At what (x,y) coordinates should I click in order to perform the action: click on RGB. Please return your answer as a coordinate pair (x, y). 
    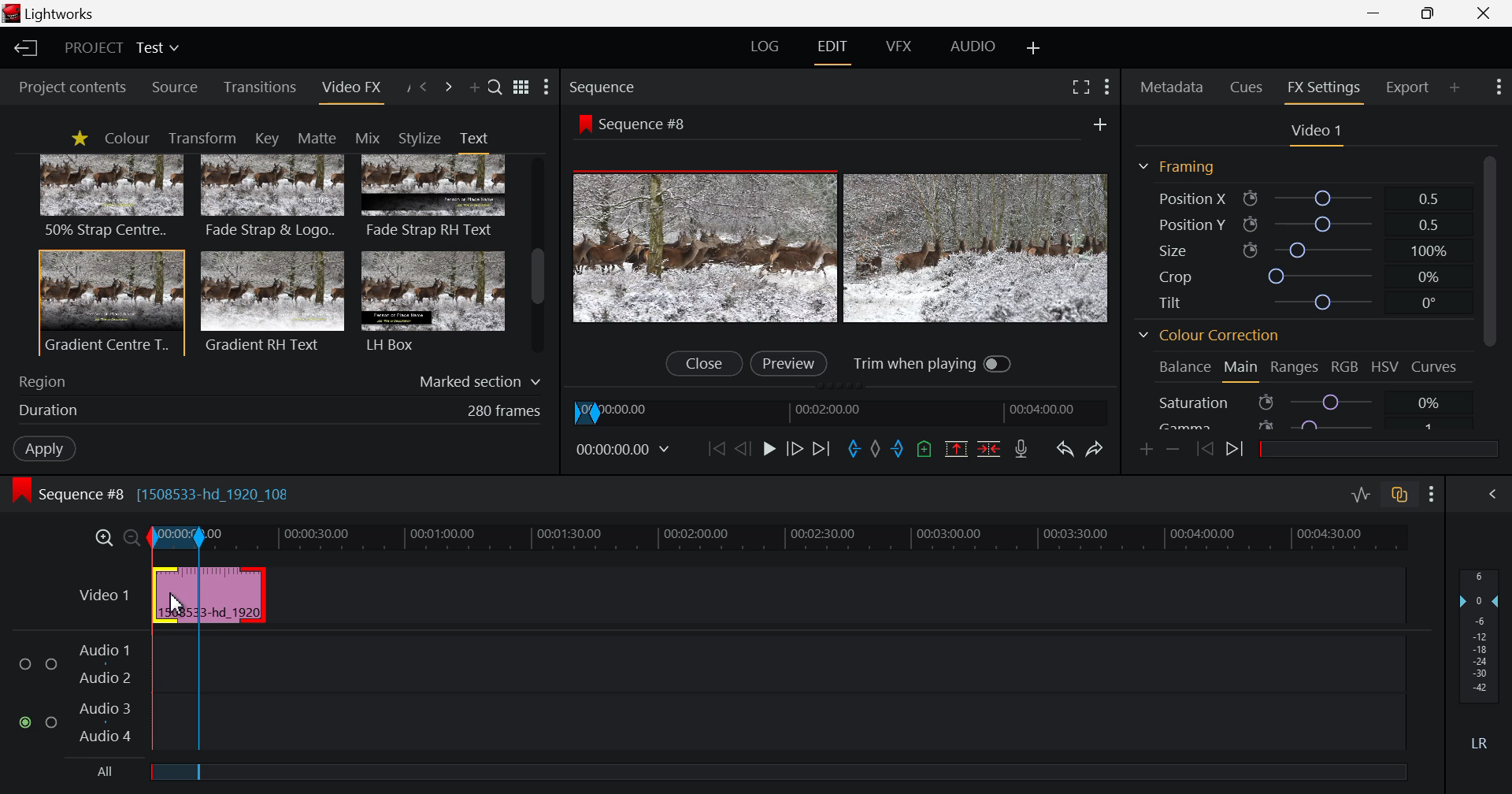
    Looking at the image, I should click on (1345, 369).